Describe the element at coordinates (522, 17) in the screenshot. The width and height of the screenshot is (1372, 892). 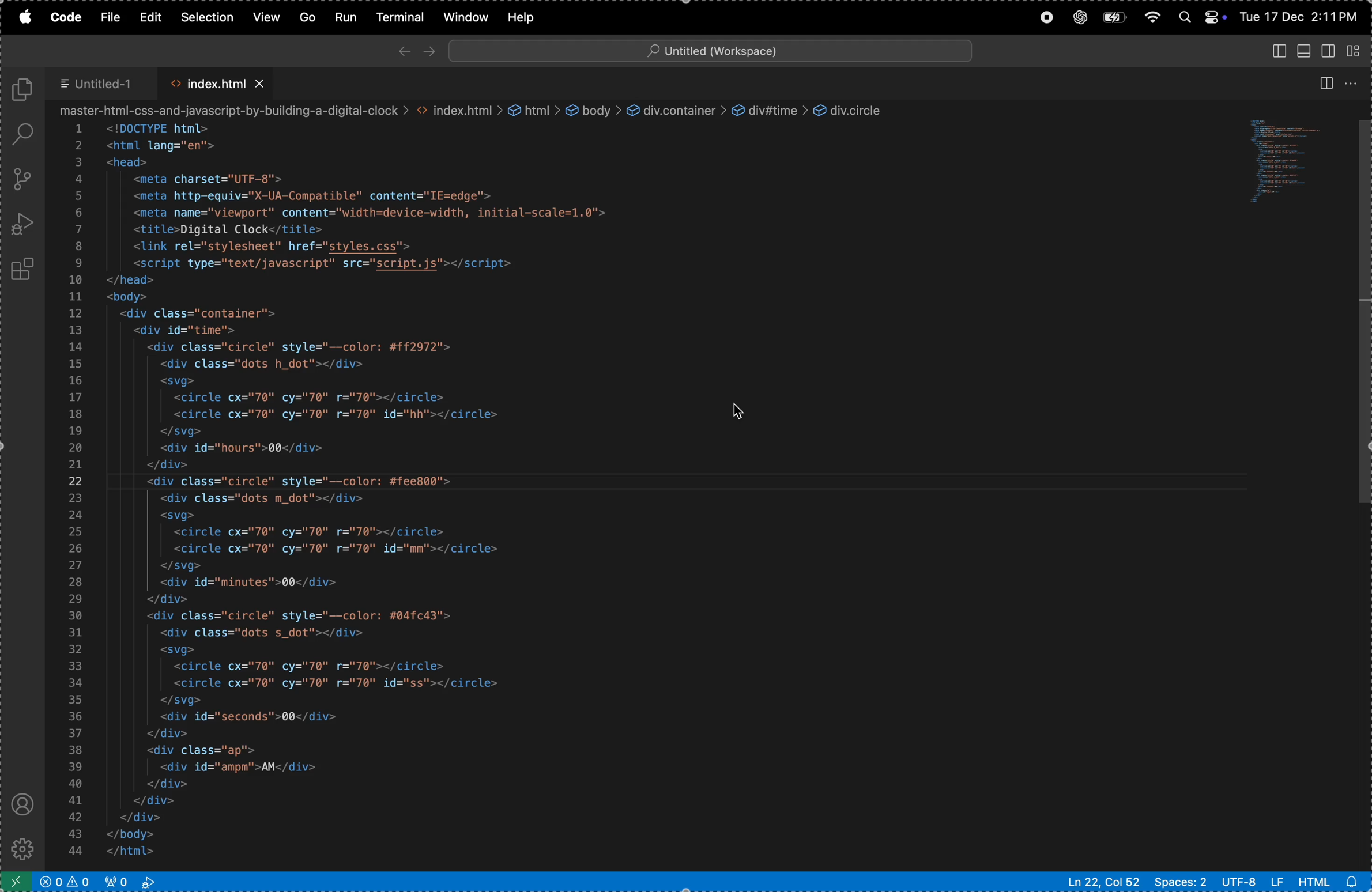
I see `help` at that location.